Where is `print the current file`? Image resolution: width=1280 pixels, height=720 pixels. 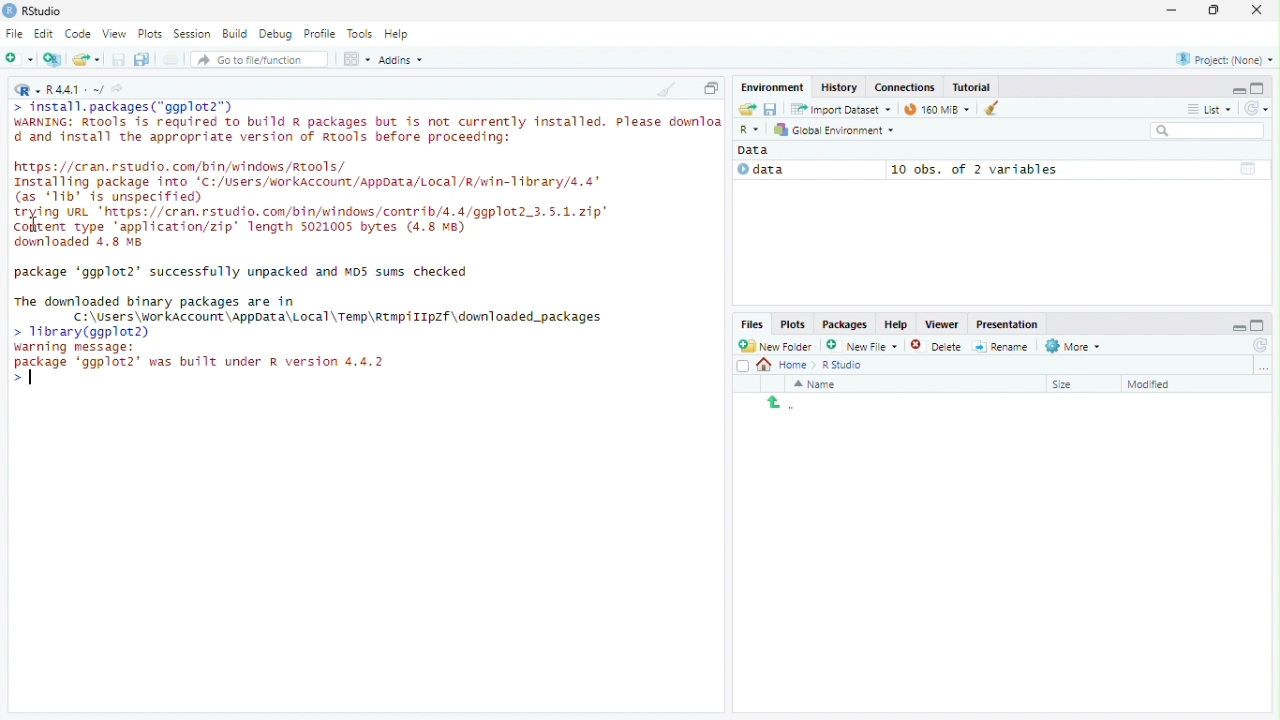
print the current file is located at coordinates (171, 59).